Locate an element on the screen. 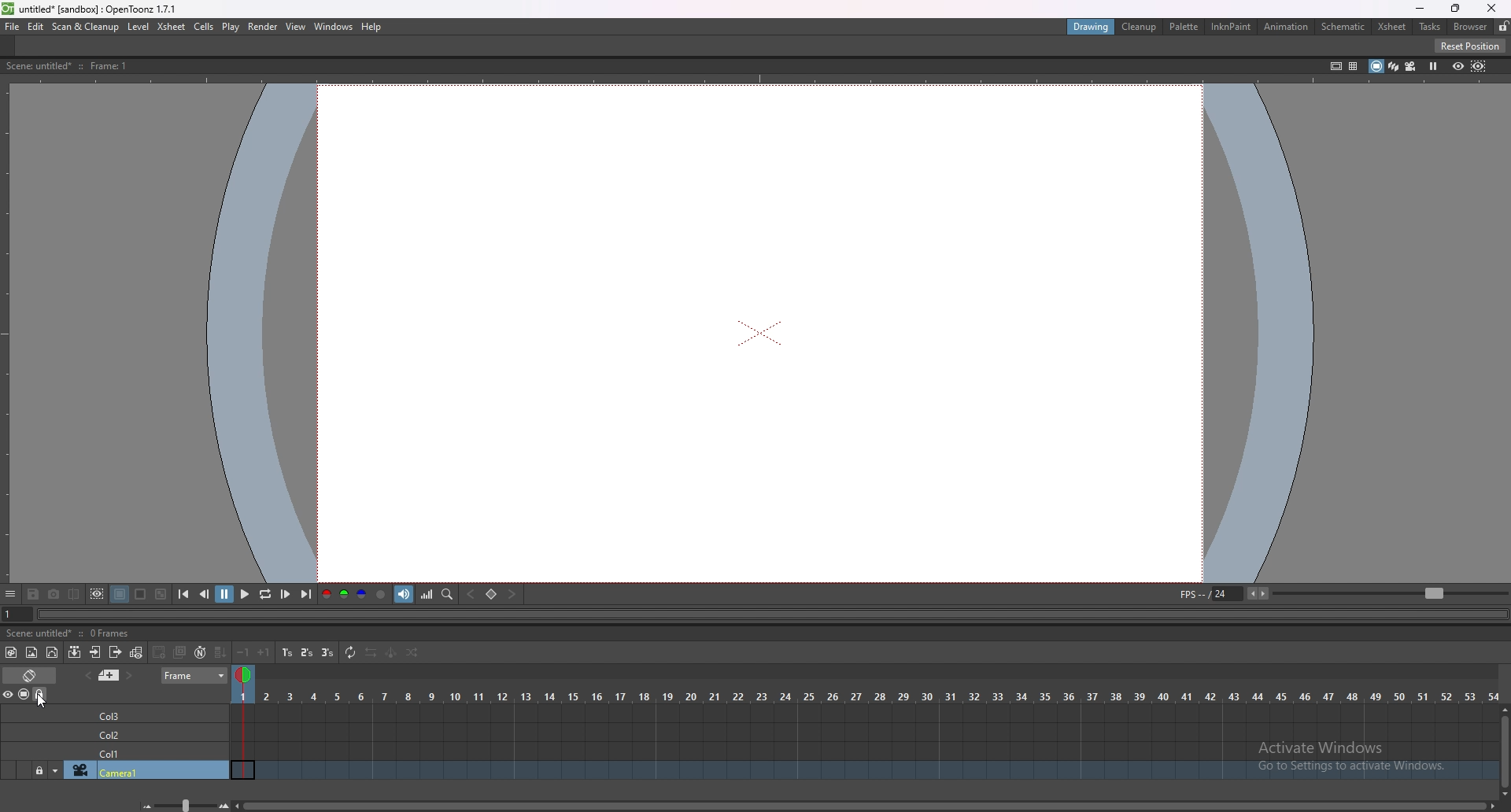 The width and height of the screenshot is (1511, 812). toggle edit in place is located at coordinates (139, 651).